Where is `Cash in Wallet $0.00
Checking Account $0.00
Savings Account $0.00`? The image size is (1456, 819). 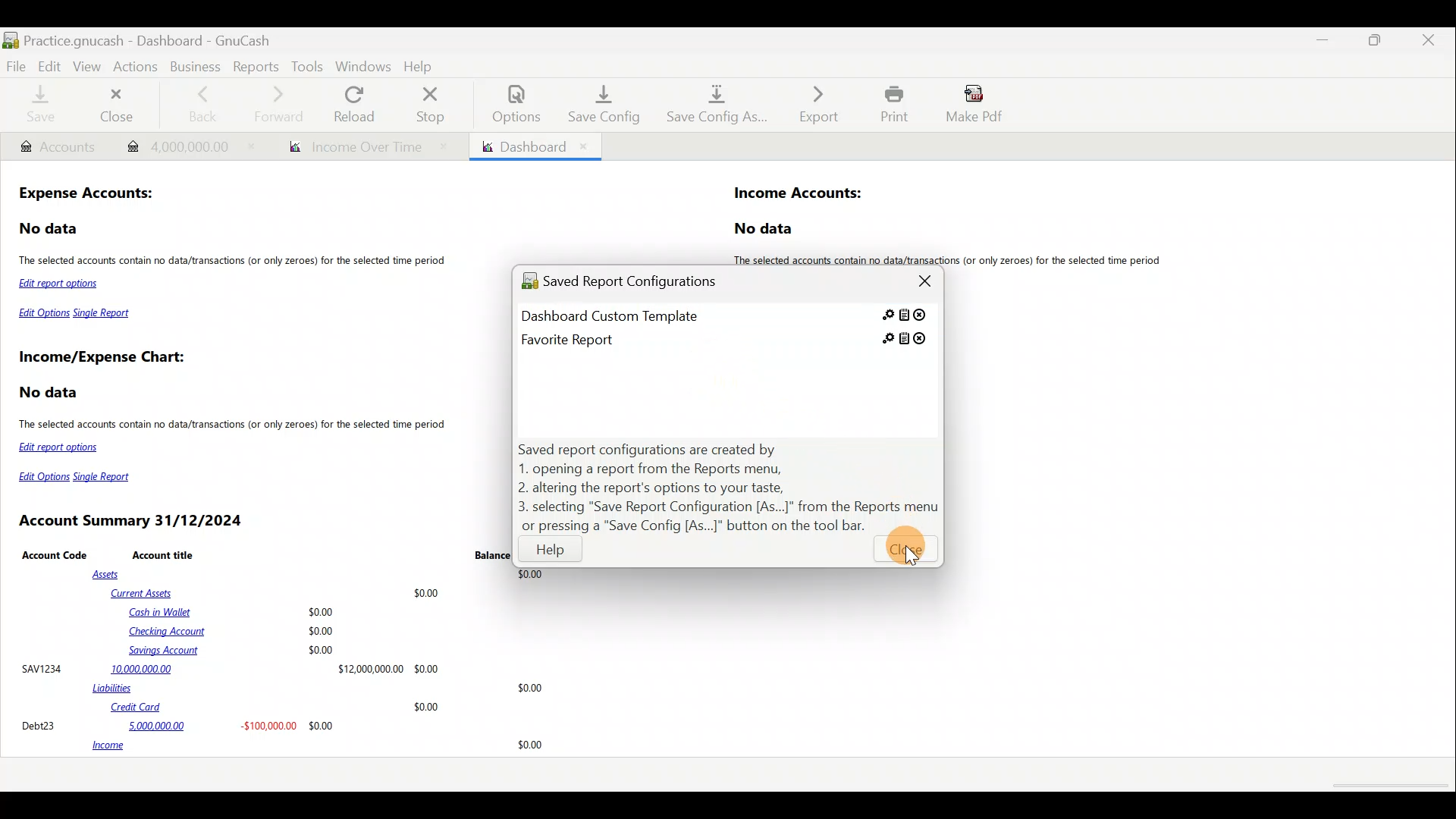 Cash in Wallet $0.00
Checking Account $0.00
Savings Account $0.00 is located at coordinates (234, 631).